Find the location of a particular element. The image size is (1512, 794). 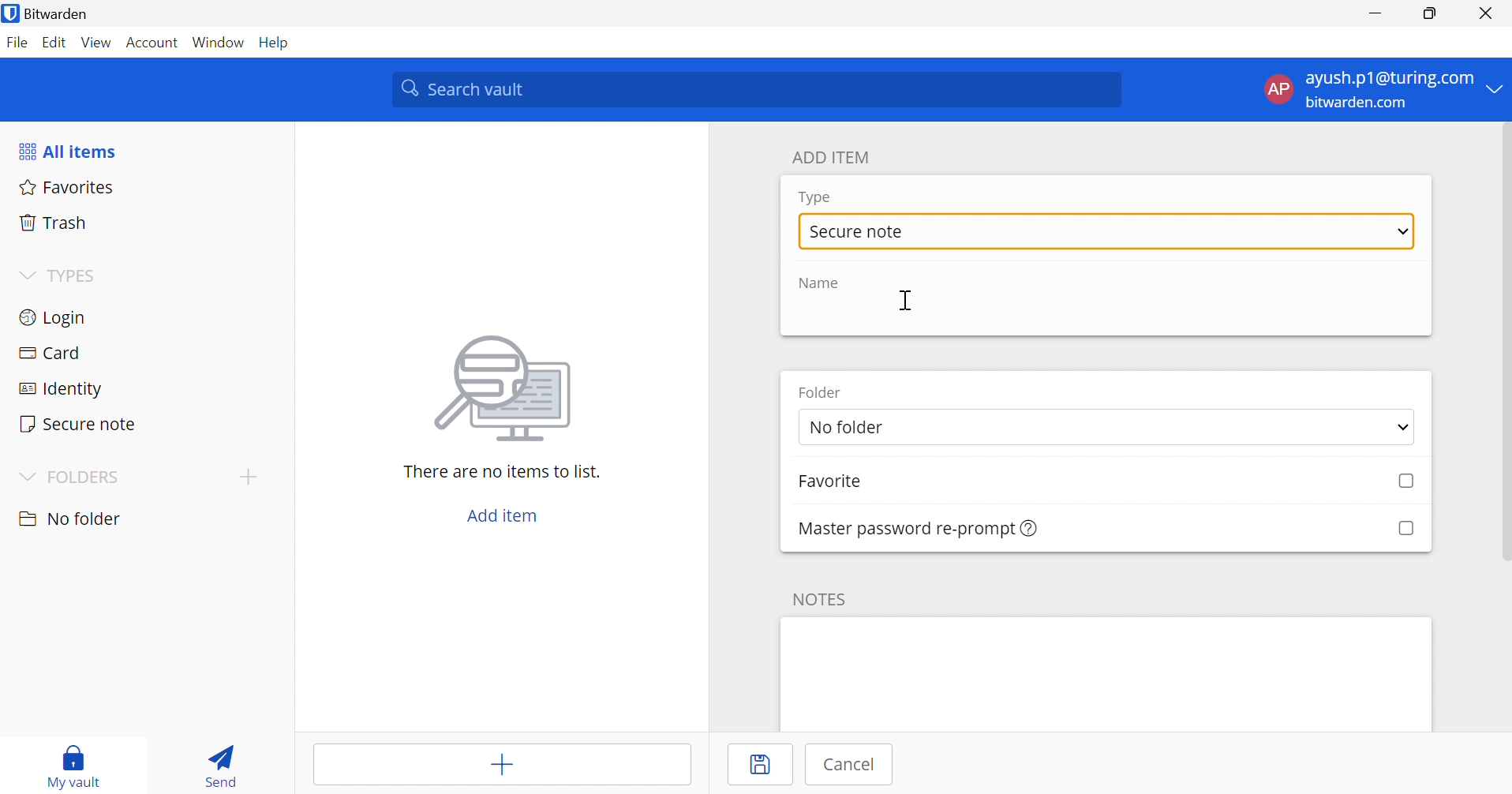

dropdown is located at coordinates (1398, 427).